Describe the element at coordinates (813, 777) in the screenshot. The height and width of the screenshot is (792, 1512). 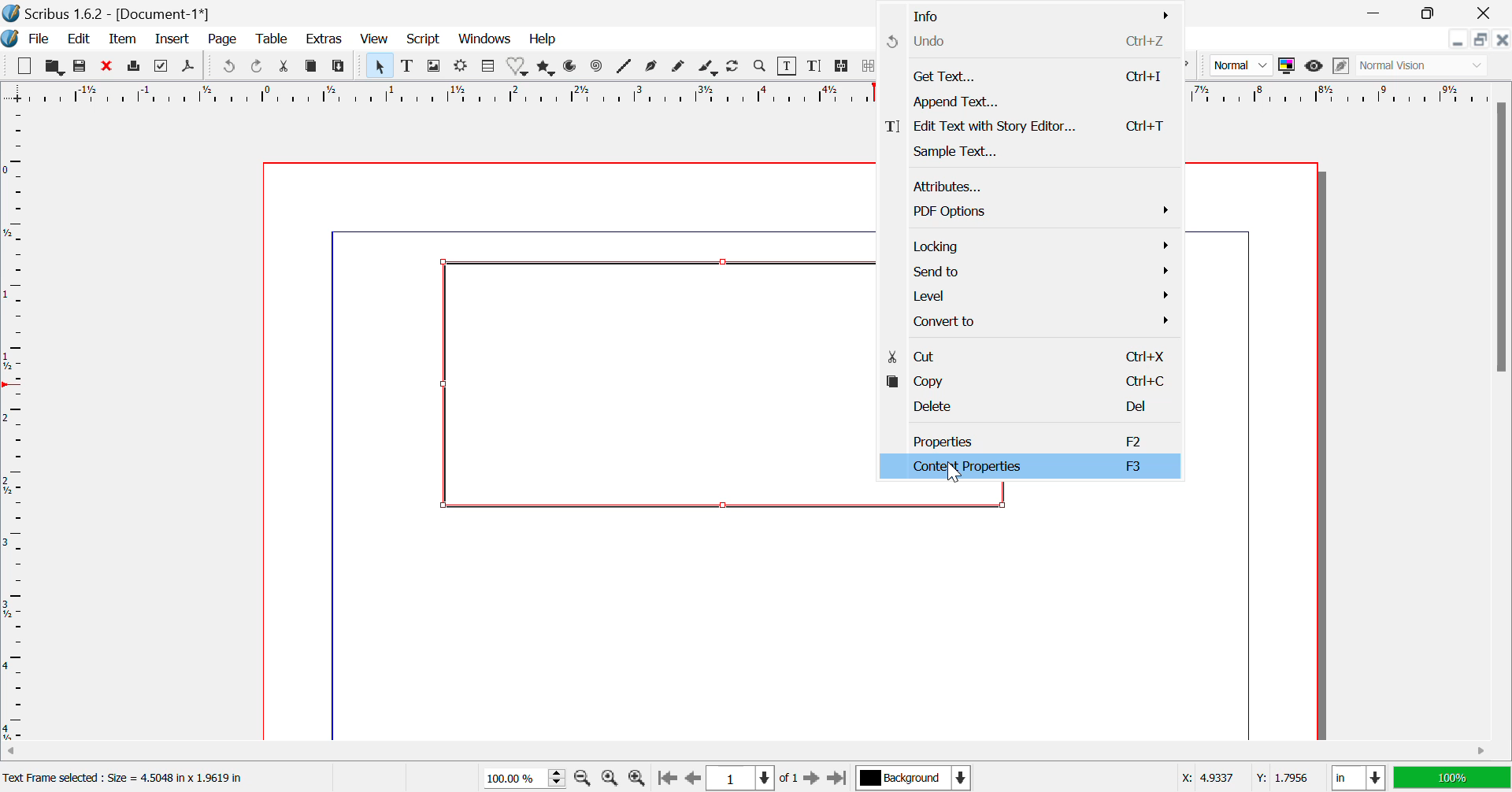
I see `Next Page` at that location.